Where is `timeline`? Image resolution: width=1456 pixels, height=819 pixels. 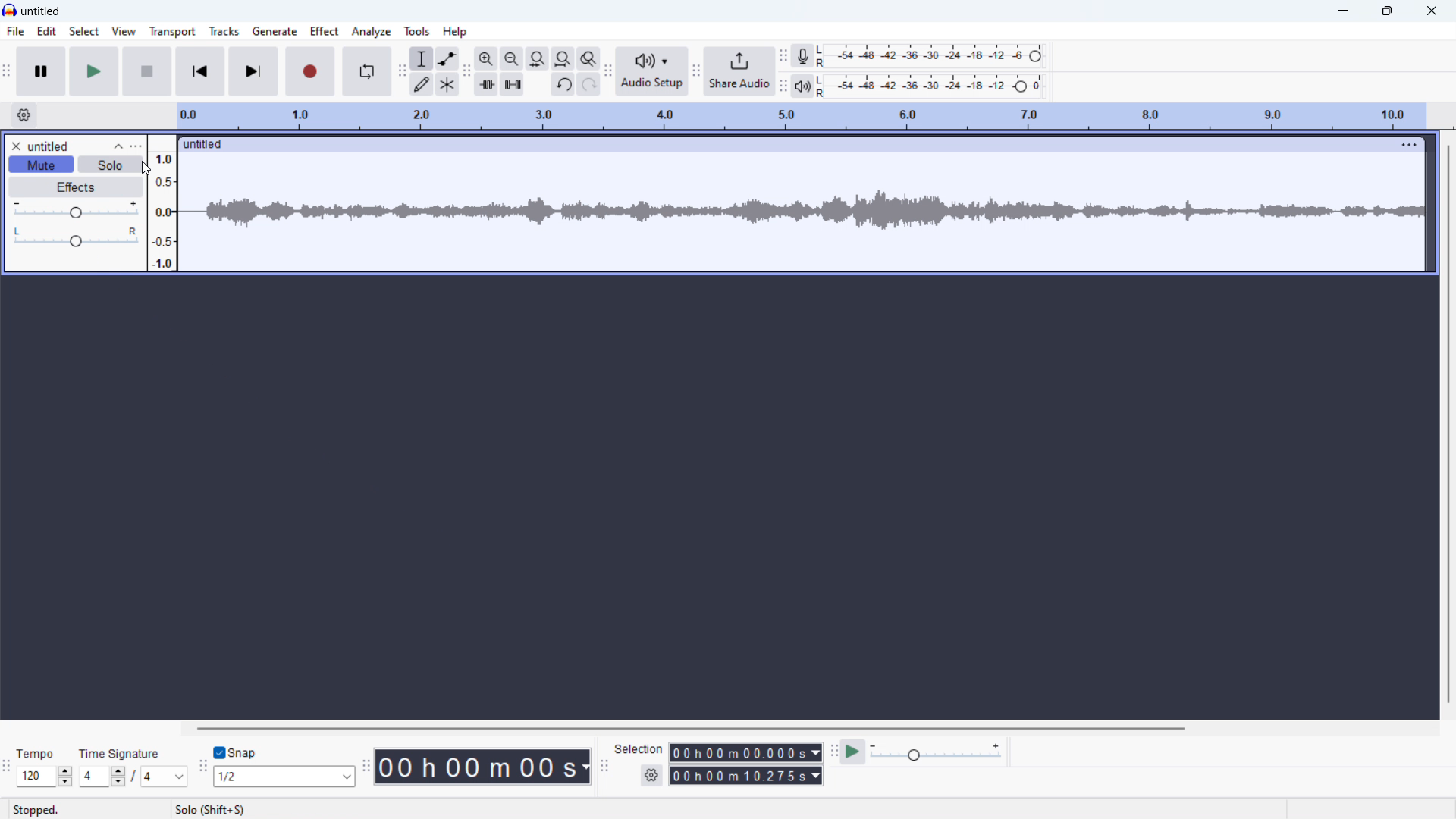
timeline is located at coordinates (801, 116).